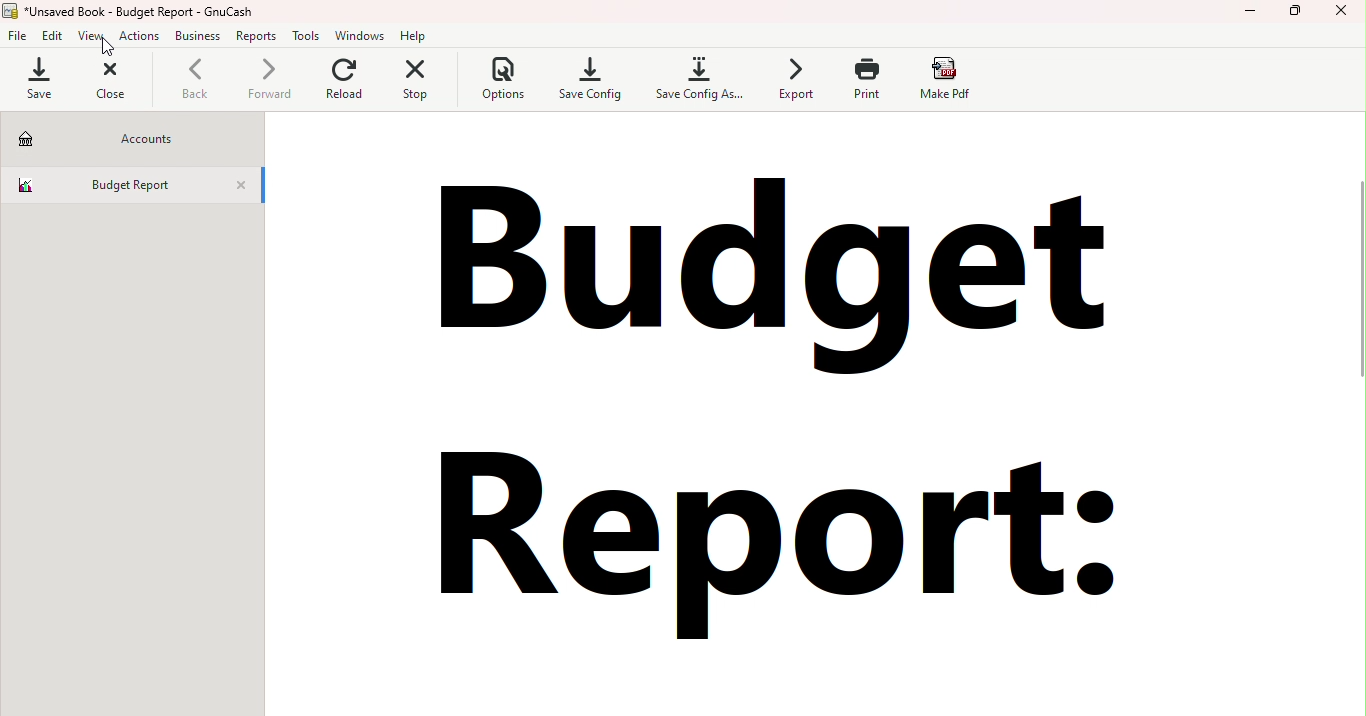 The height and width of the screenshot is (716, 1366). What do you see at coordinates (361, 39) in the screenshot?
I see `Windows` at bounding box center [361, 39].